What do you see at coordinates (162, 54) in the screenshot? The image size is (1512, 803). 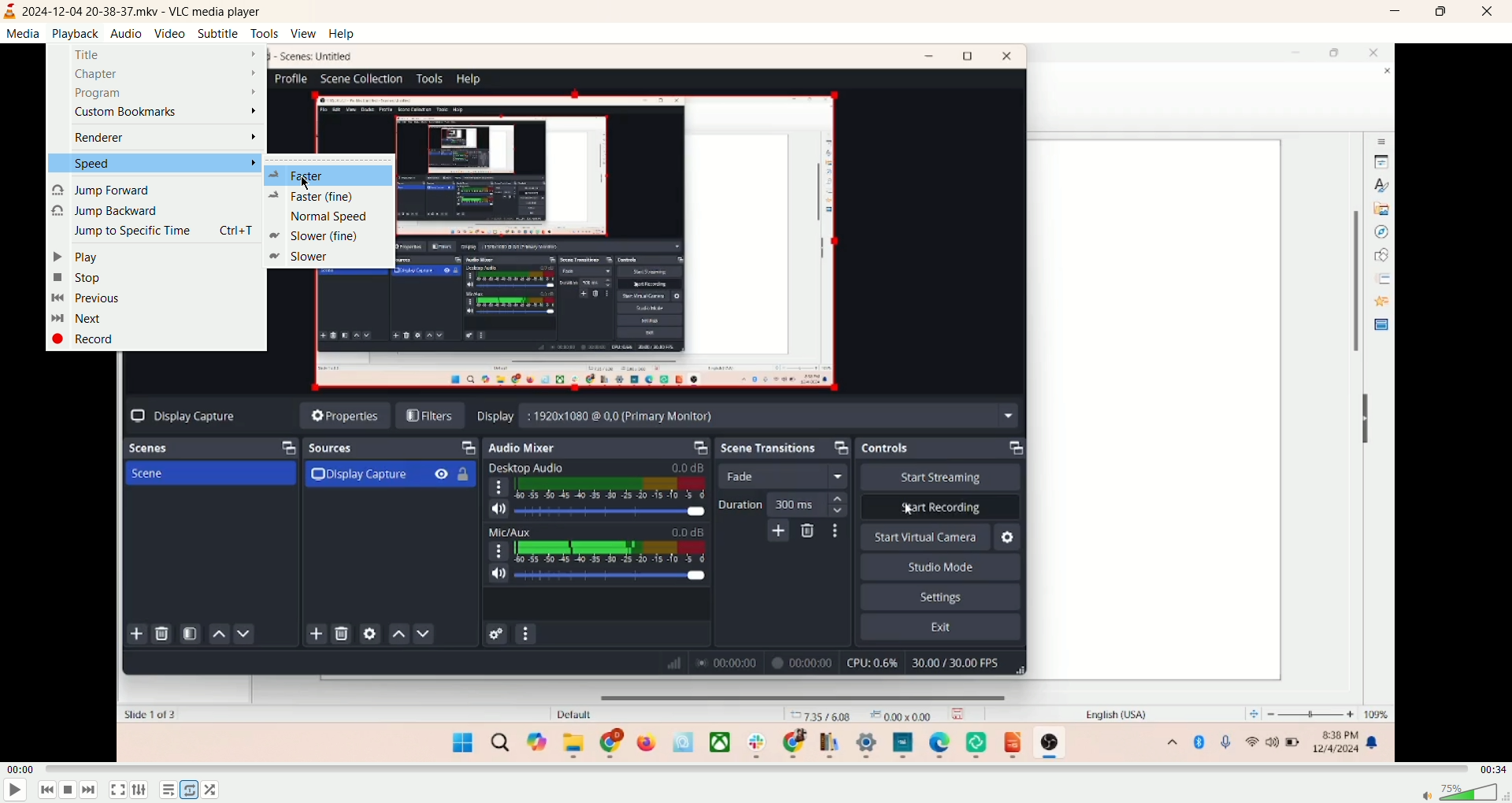 I see `title` at bounding box center [162, 54].